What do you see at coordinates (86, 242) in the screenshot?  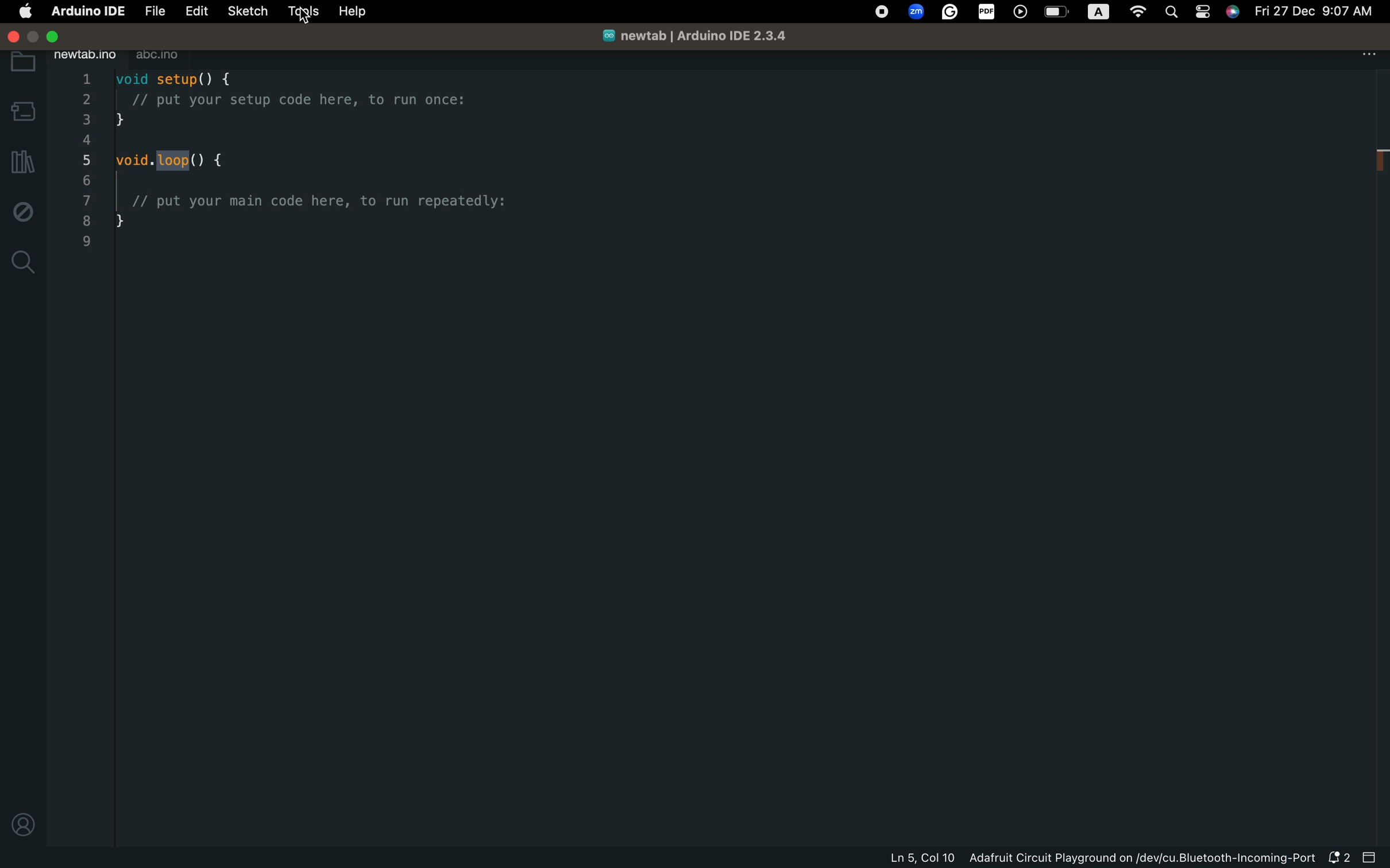 I see `9` at bounding box center [86, 242].